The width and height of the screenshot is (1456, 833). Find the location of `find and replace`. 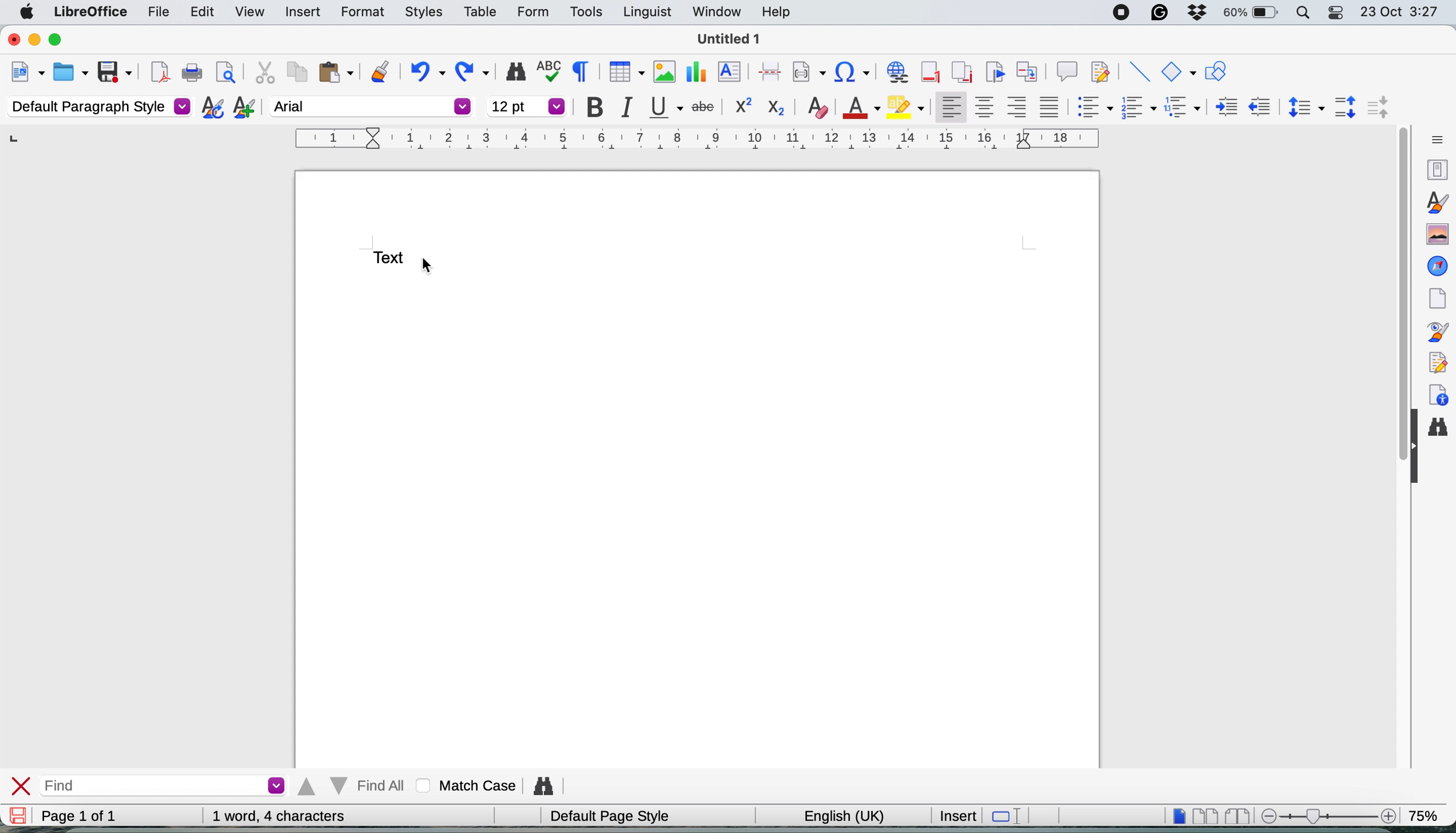

find and replace is located at coordinates (512, 72).